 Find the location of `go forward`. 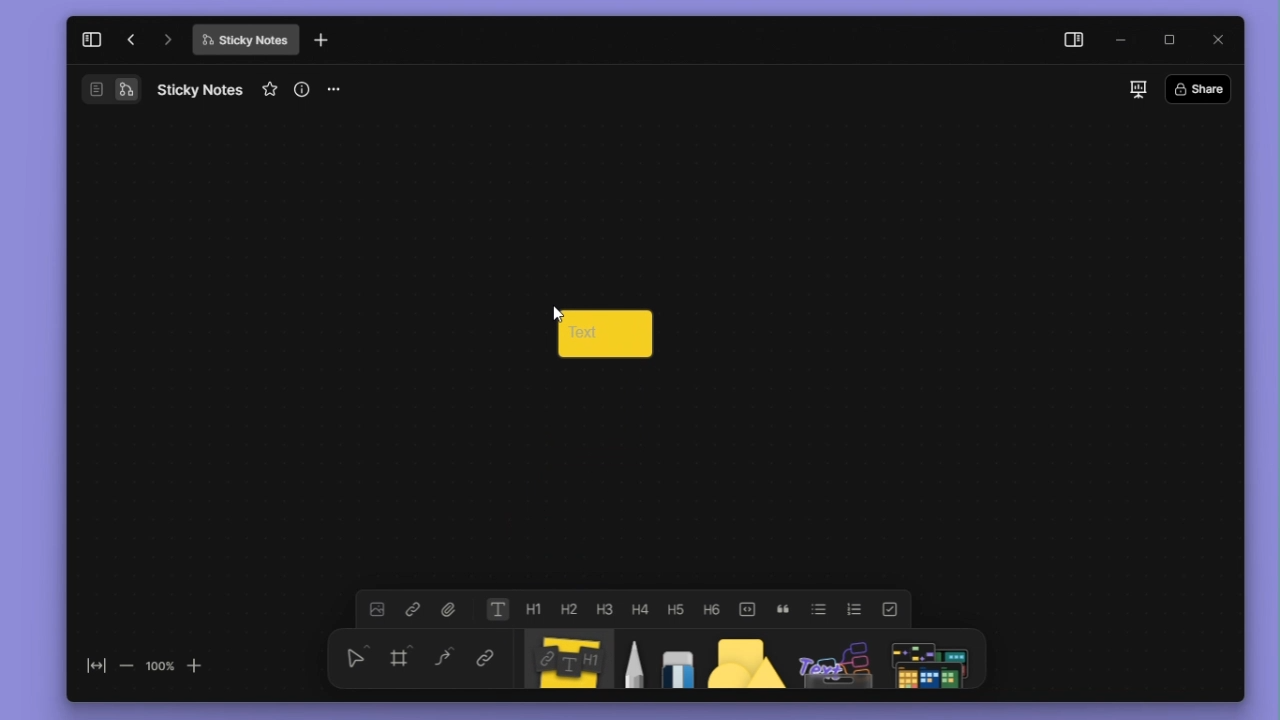

go forward is located at coordinates (164, 44).